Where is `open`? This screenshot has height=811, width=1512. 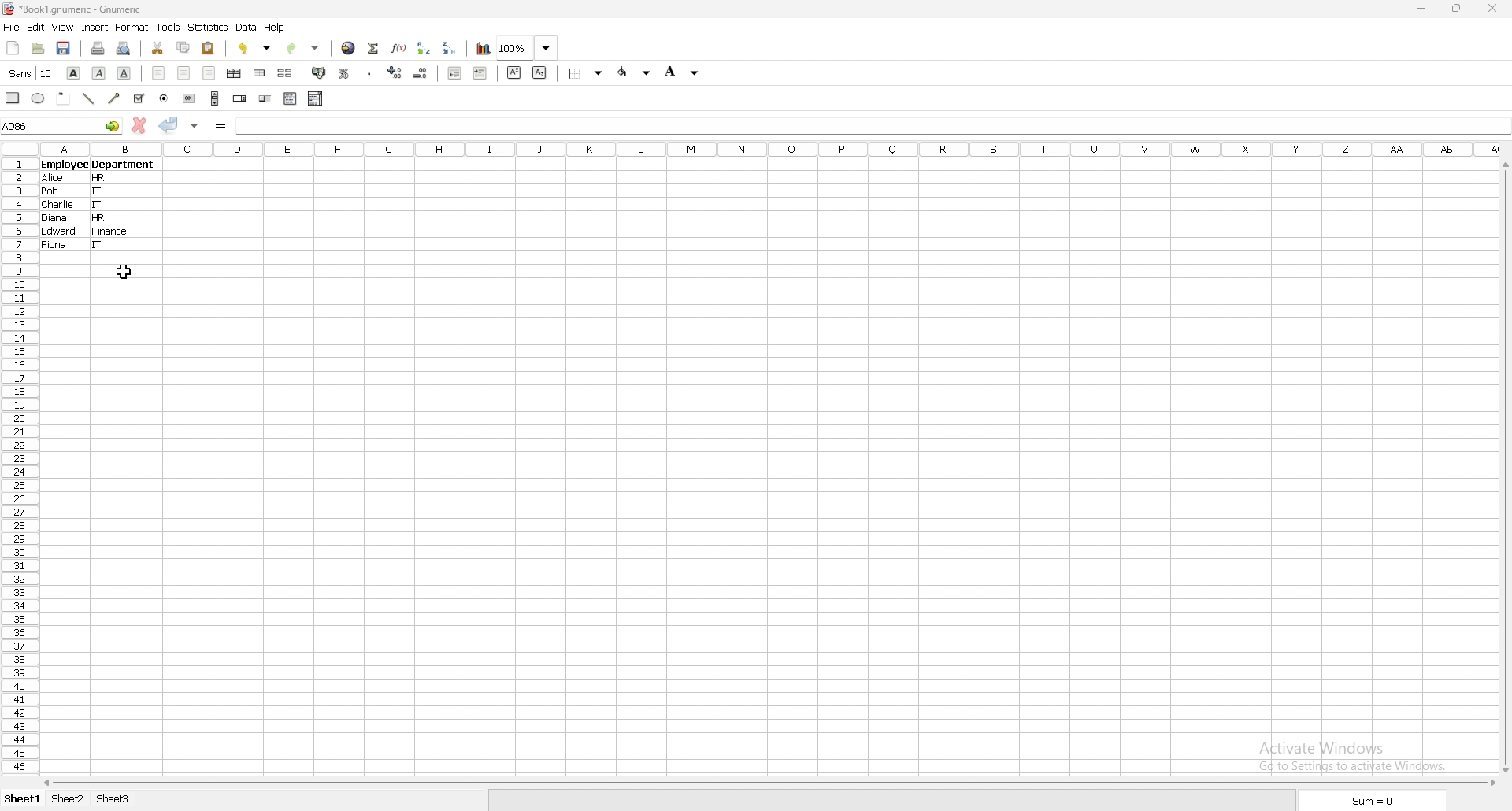
open is located at coordinates (37, 48).